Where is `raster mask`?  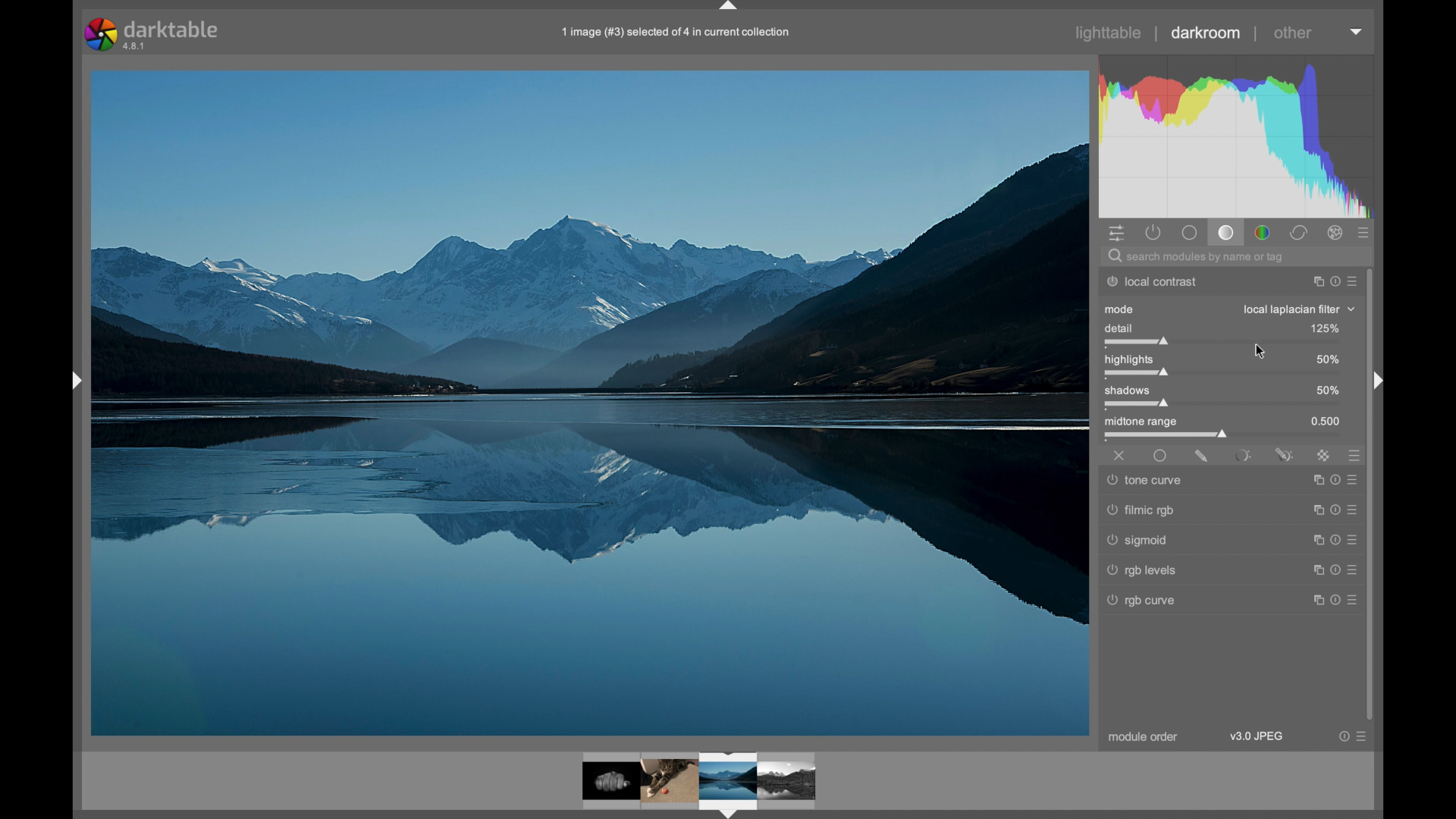
raster mask is located at coordinates (1323, 455).